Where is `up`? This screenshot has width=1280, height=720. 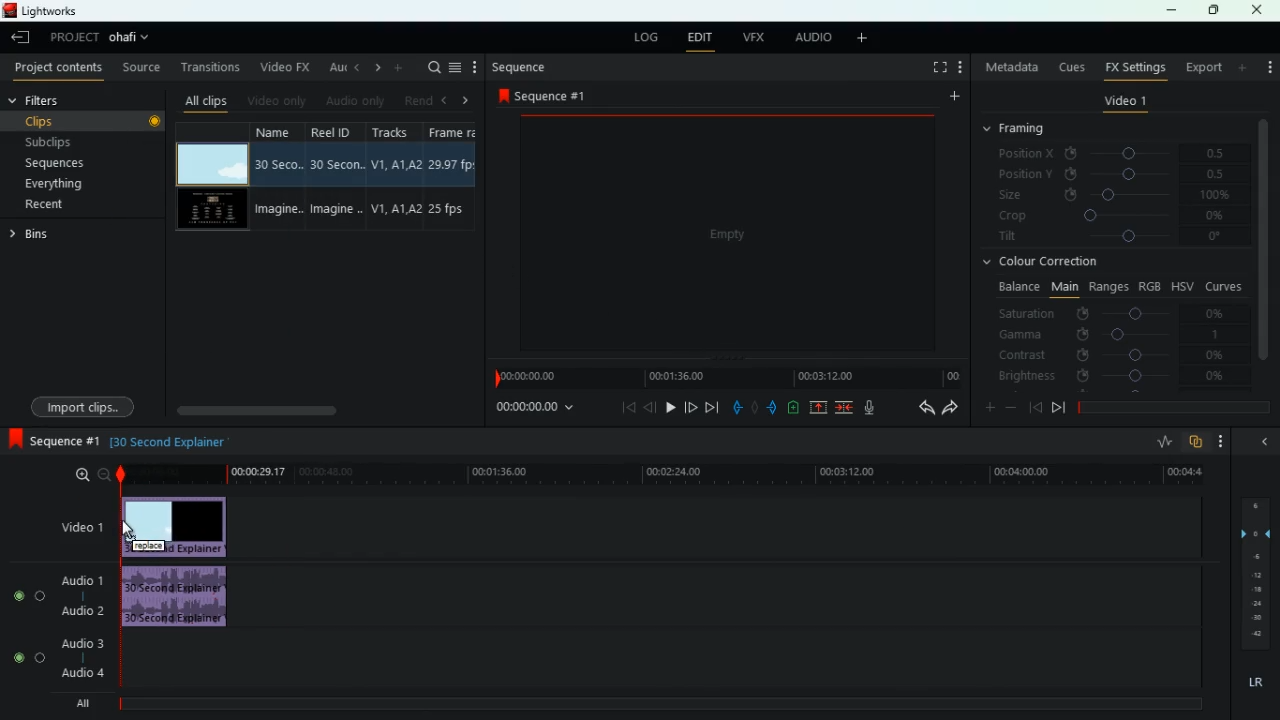
up is located at coordinates (819, 409).